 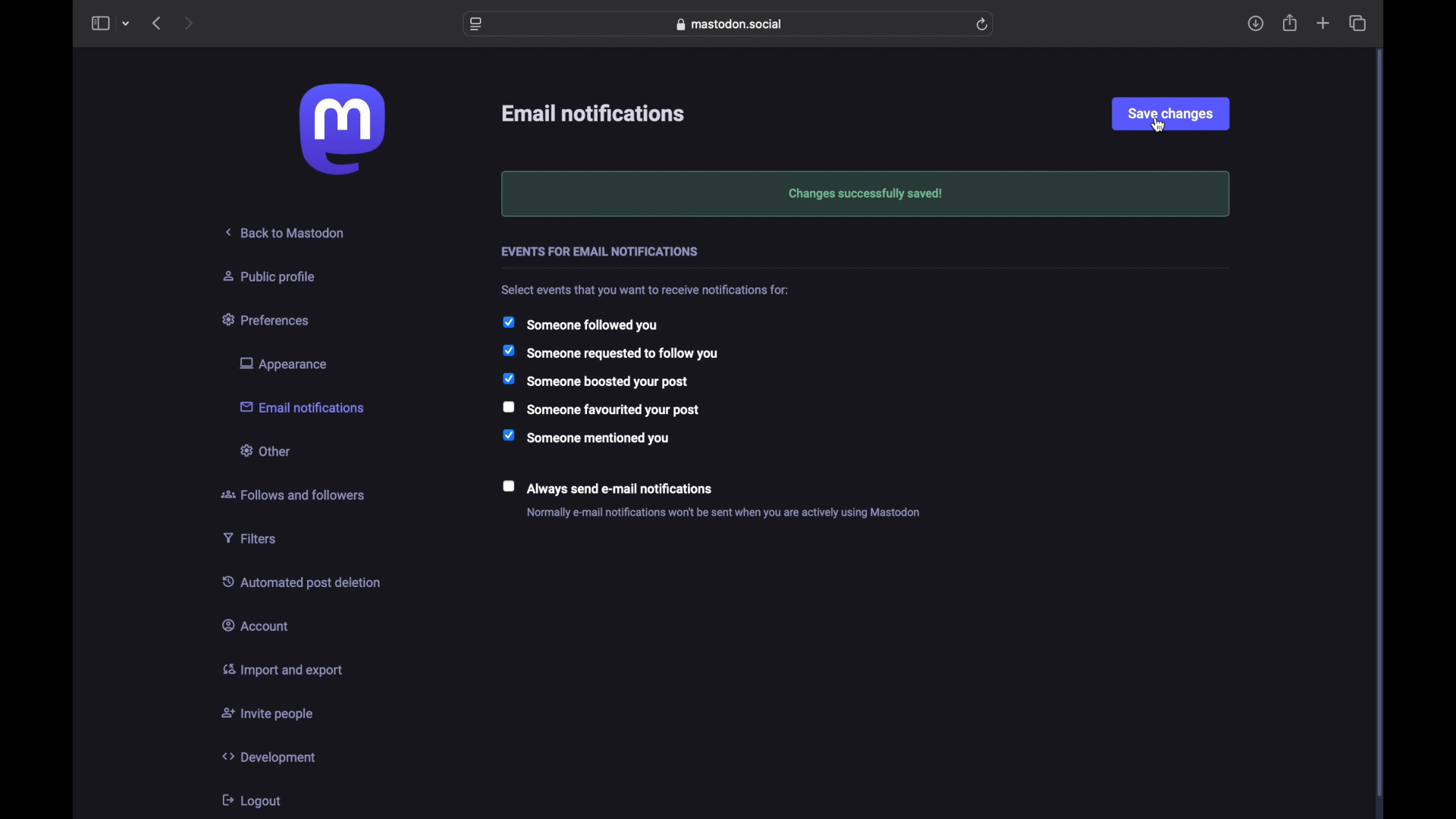 What do you see at coordinates (602, 409) in the screenshot?
I see `checkbox` at bounding box center [602, 409].